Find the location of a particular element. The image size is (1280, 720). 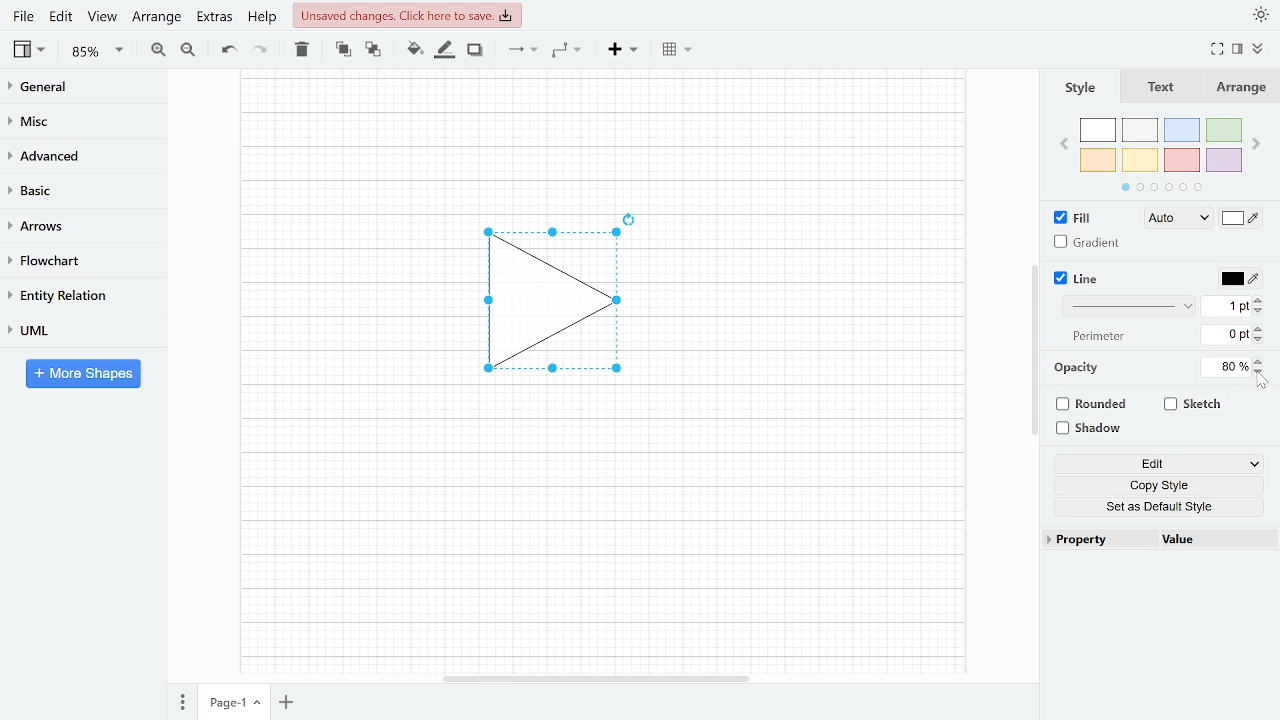

View is located at coordinates (31, 49).